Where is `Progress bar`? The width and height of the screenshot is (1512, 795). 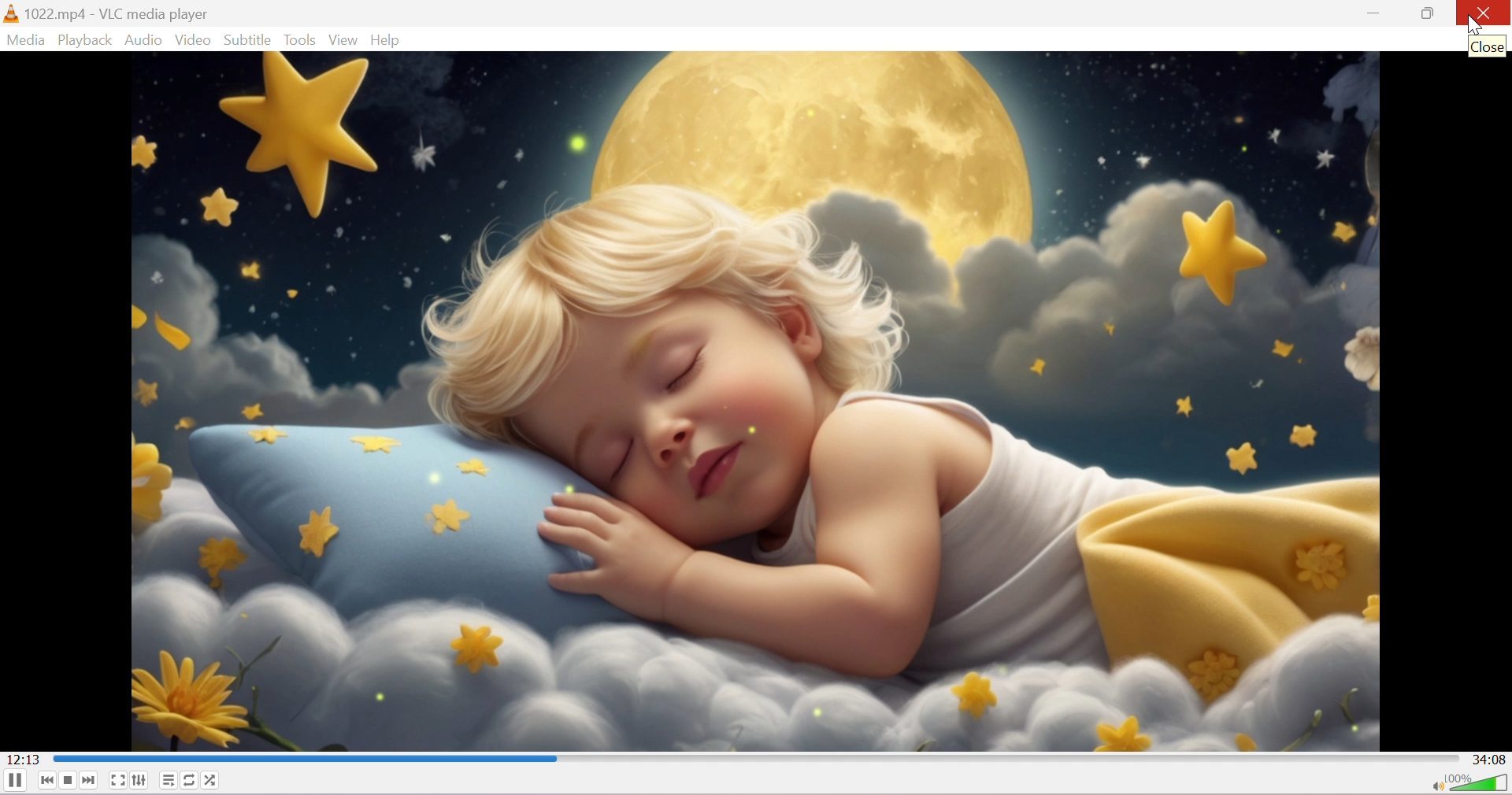
Progress bar is located at coordinates (754, 757).